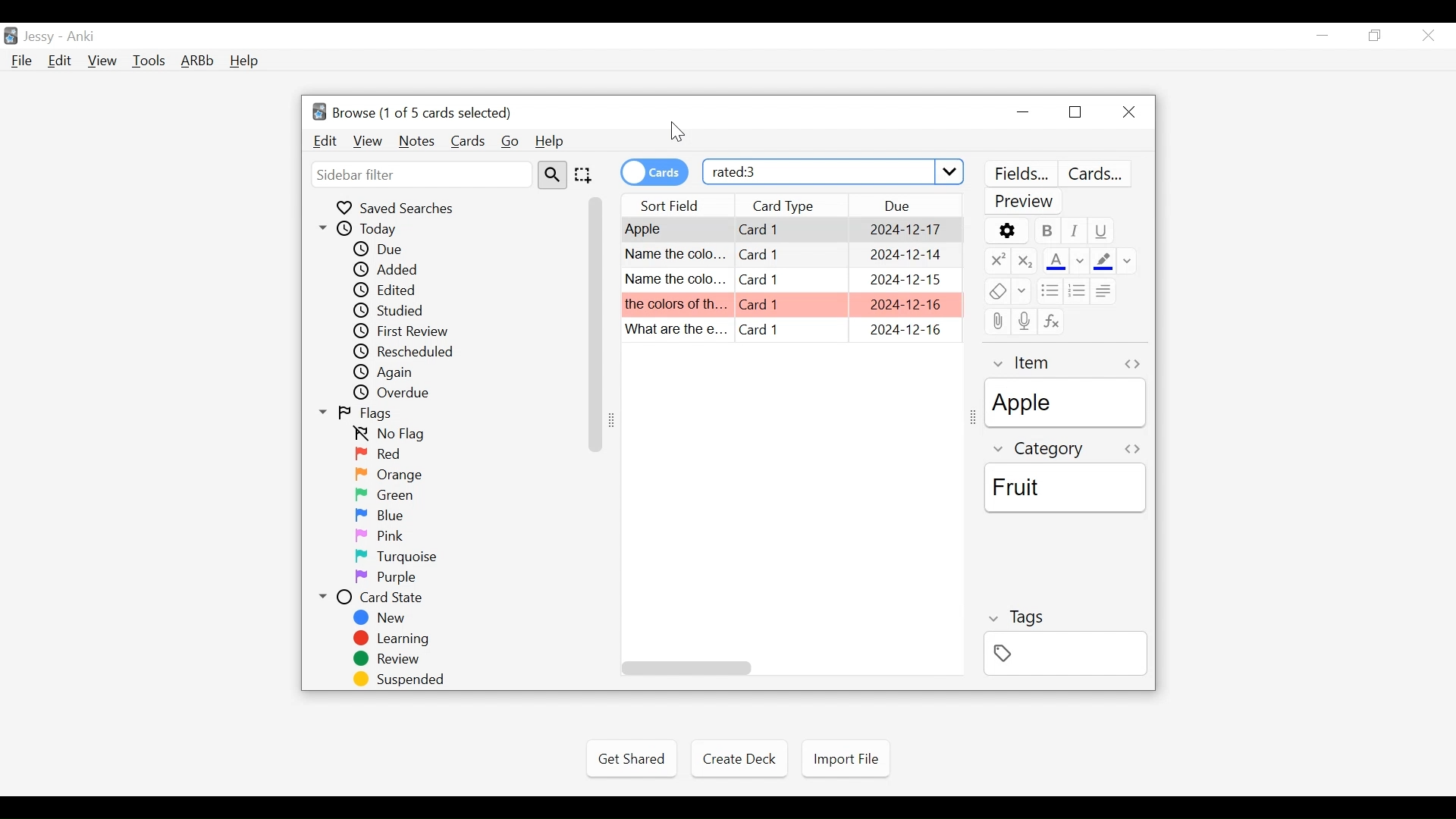 The width and height of the screenshot is (1456, 819). I want to click on Learning, so click(394, 639).